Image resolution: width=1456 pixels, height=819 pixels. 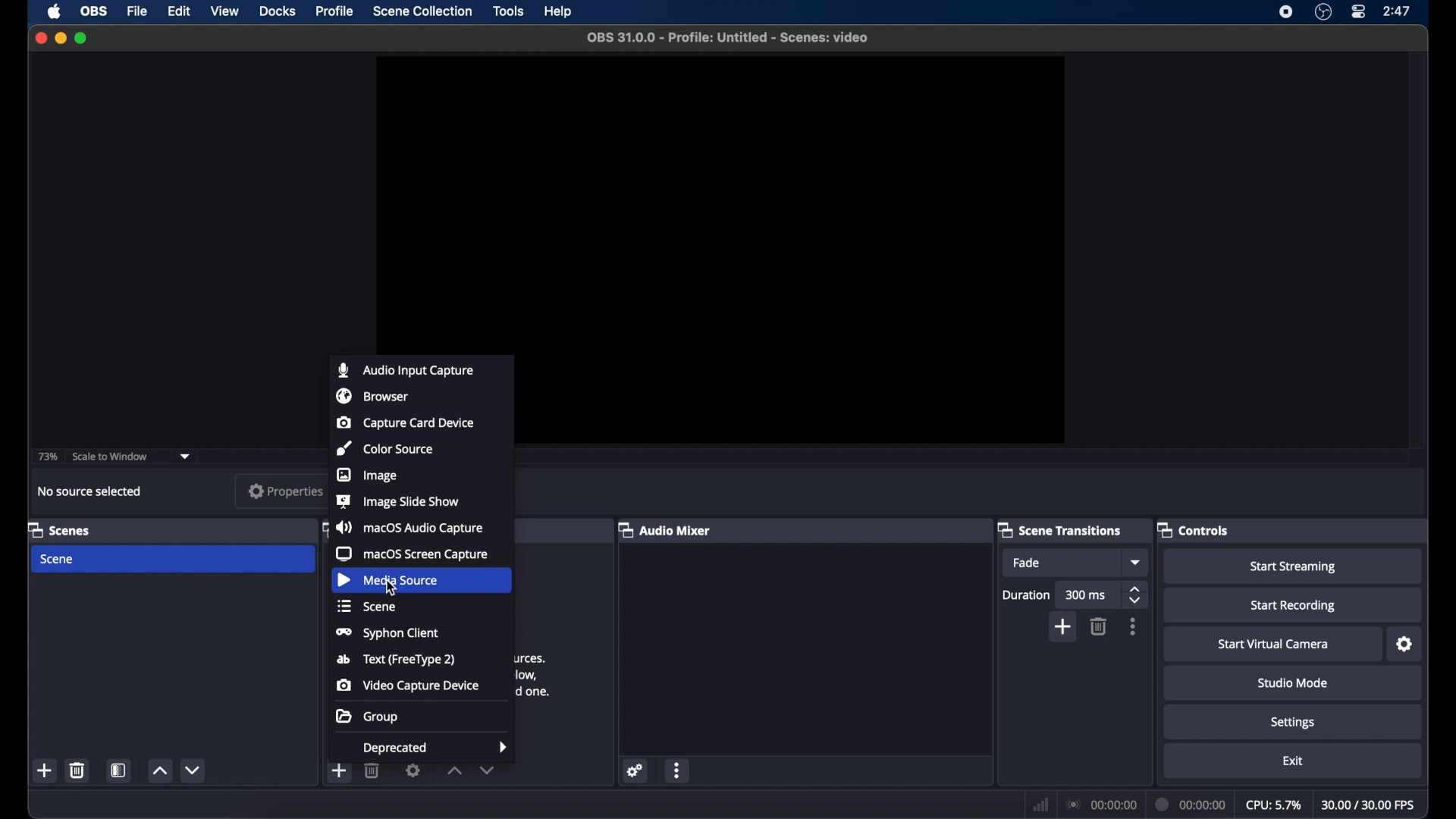 I want to click on macOS screen capture, so click(x=413, y=554).